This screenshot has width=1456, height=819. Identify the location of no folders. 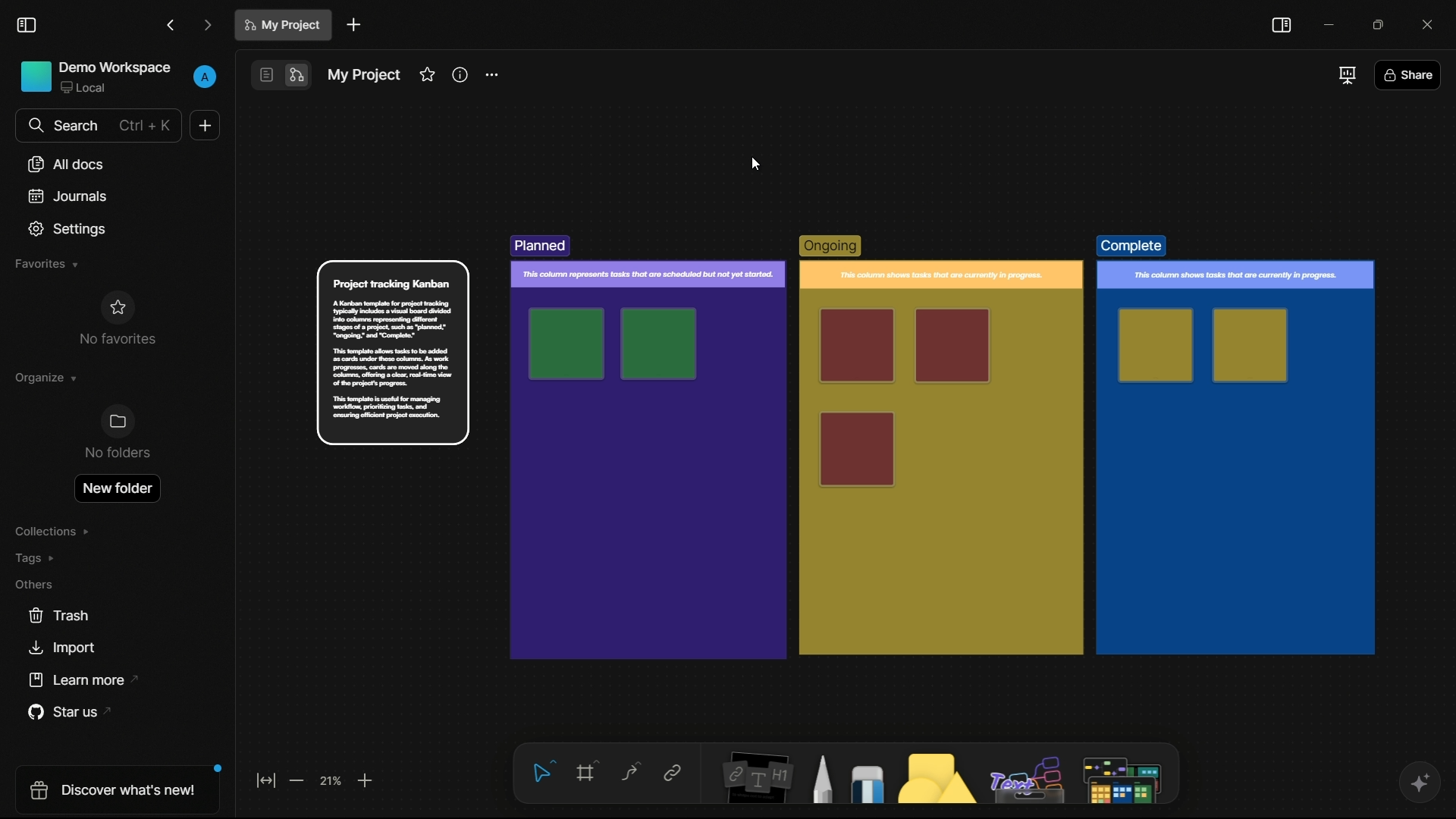
(116, 432).